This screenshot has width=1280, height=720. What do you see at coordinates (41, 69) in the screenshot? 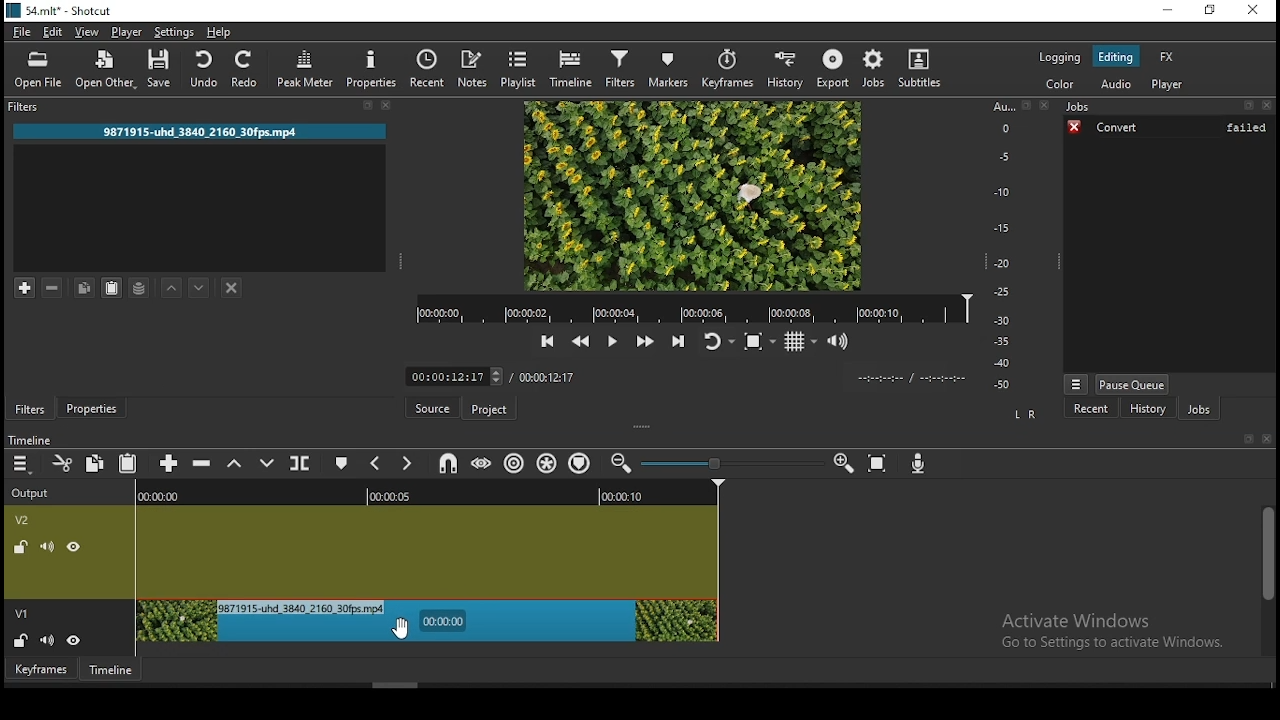
I see `open file` at bounding box center [41, 69].